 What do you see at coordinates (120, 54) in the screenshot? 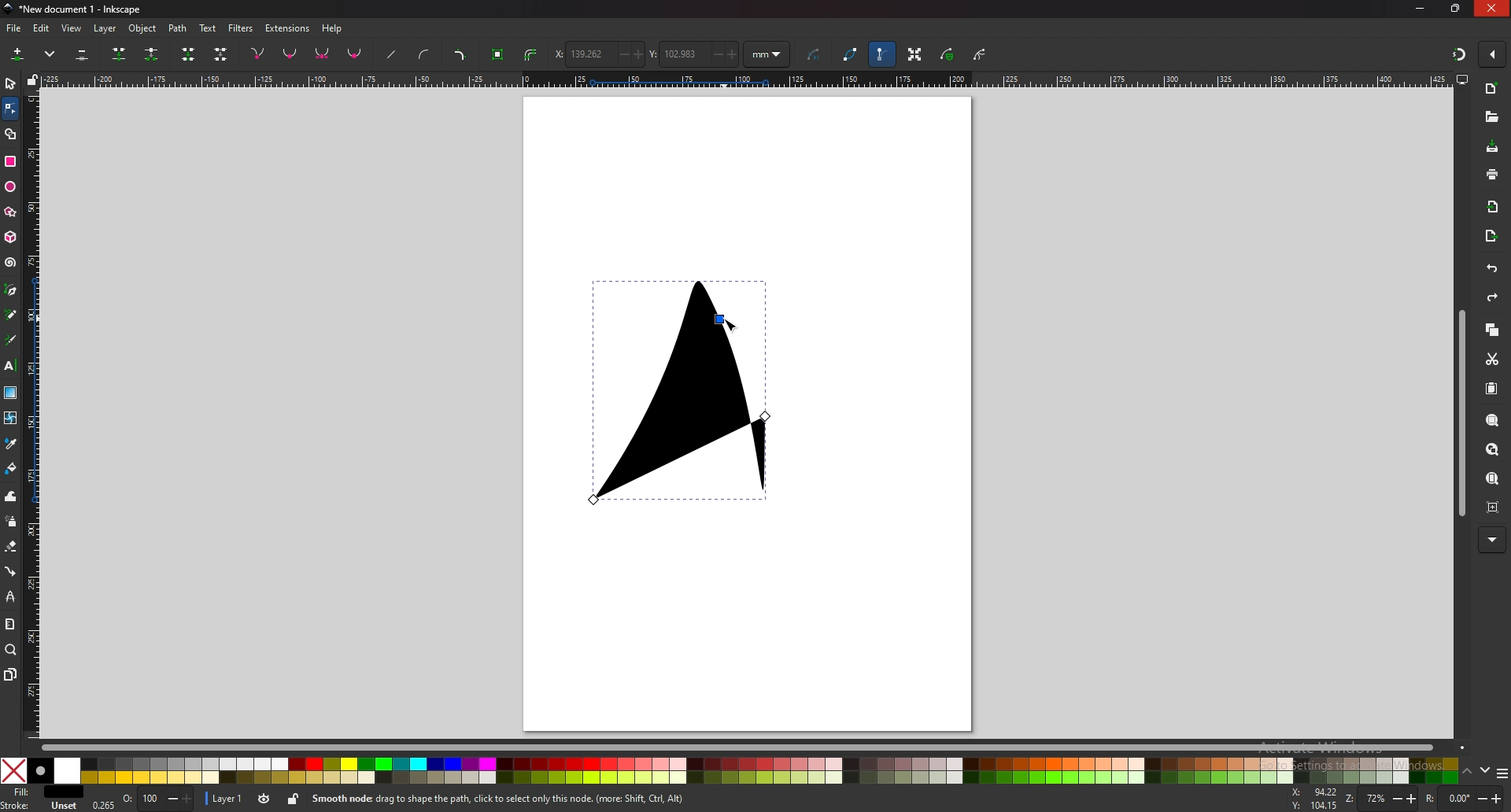
I see `join selected nodes` at bounding box center [120, 54].